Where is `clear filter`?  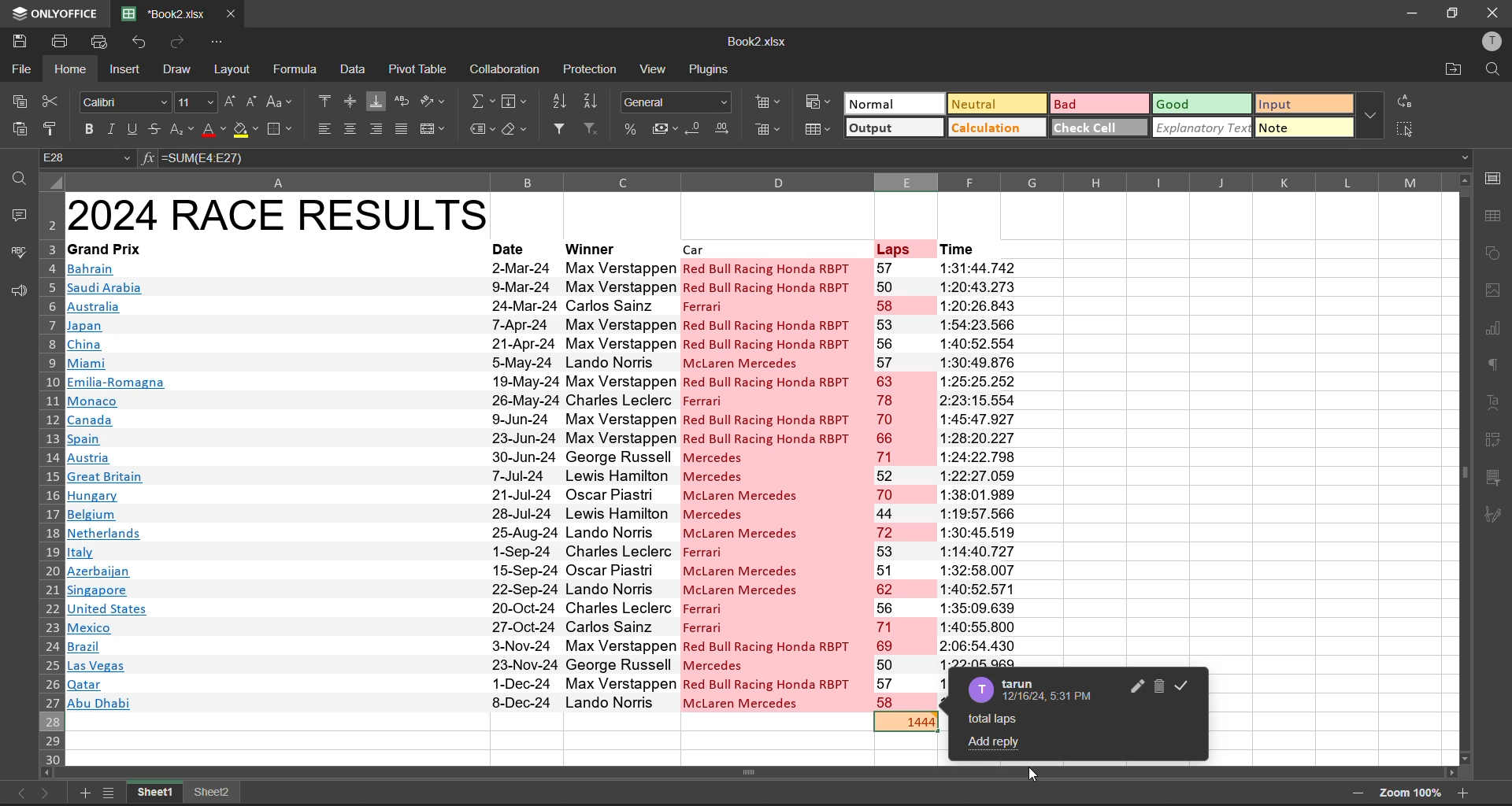 clear filter is located at coordinates (589, 128).